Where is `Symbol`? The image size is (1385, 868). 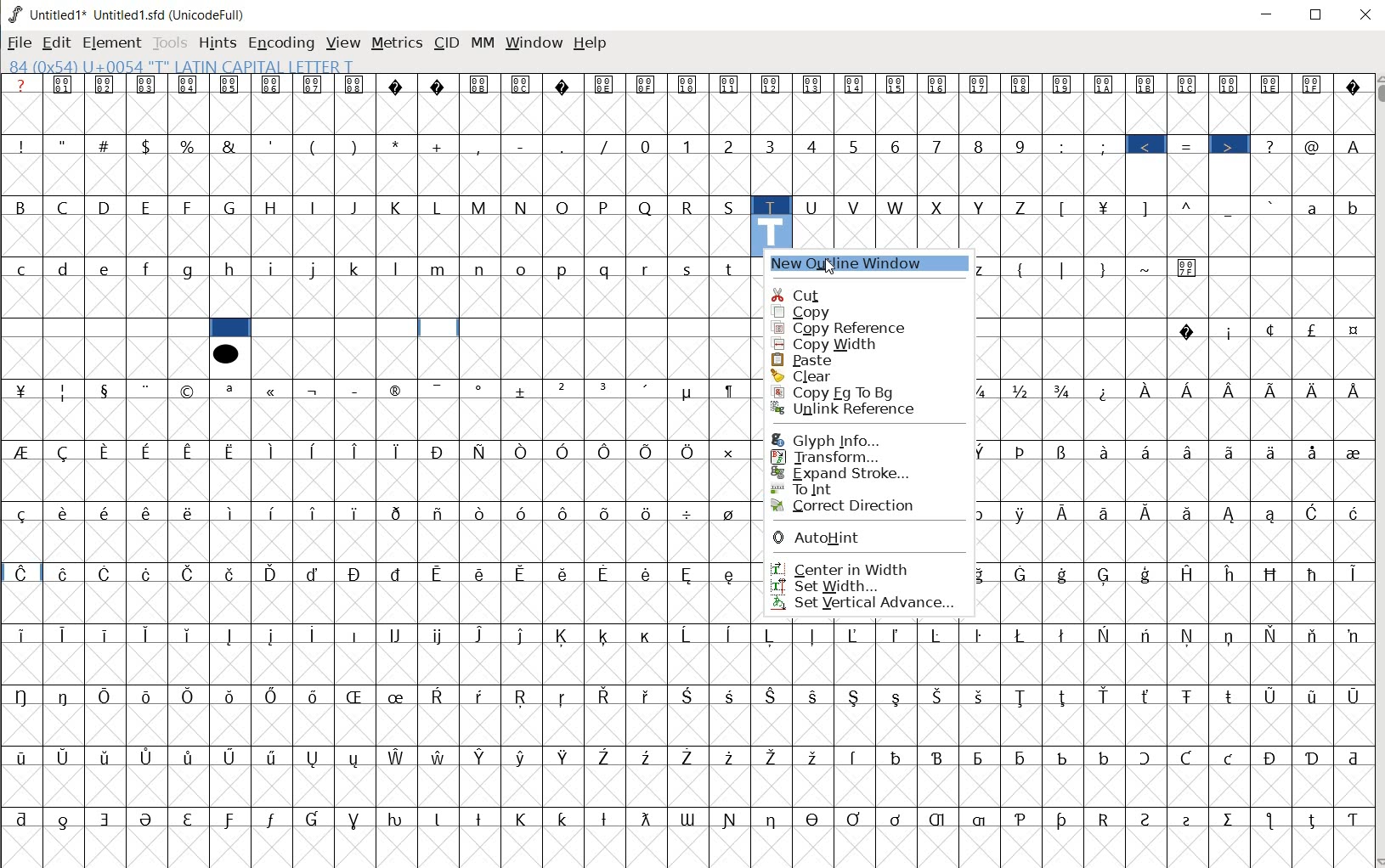
Symbol is located at coordinates (605, 511).